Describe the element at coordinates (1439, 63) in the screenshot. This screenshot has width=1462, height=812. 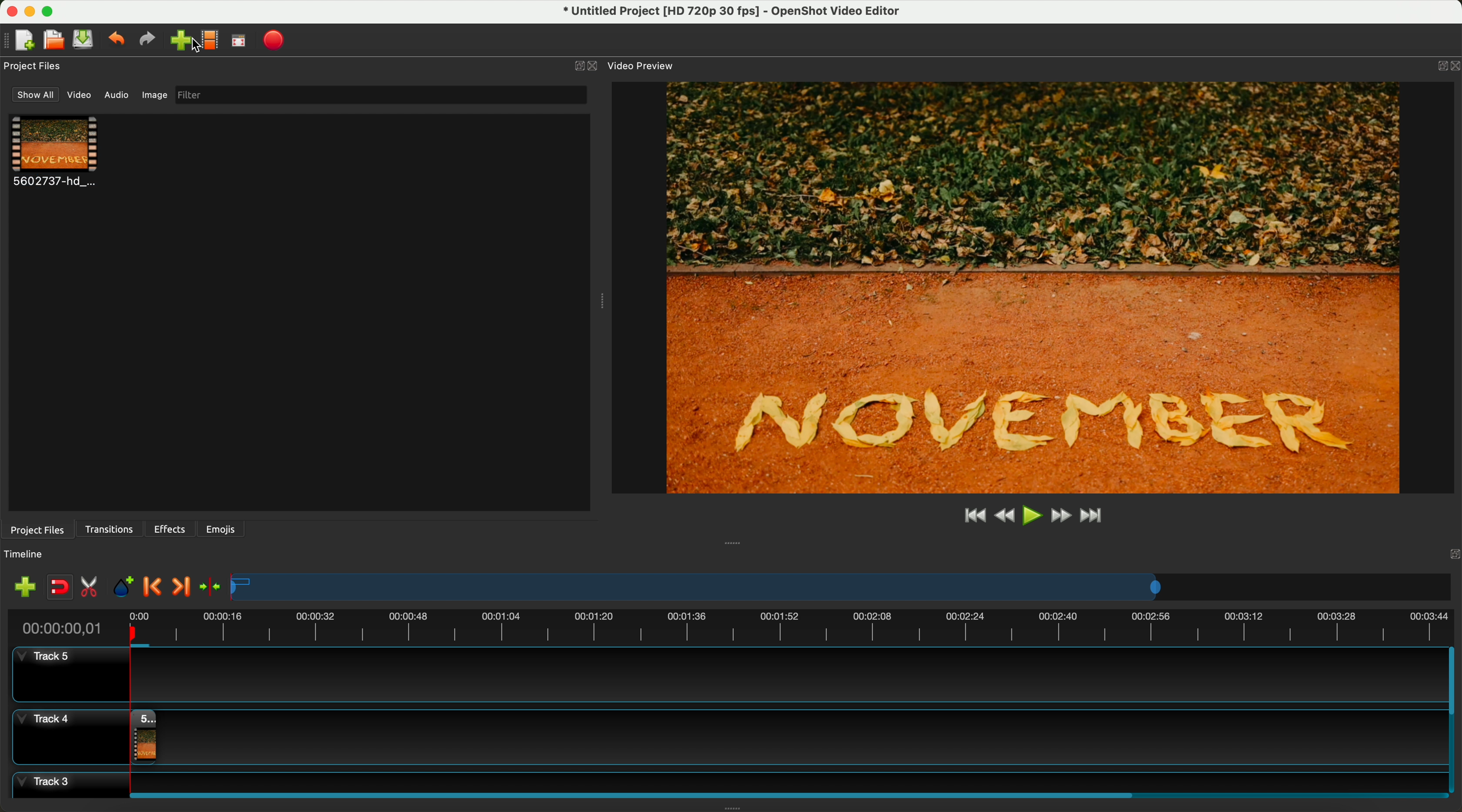
I see `BUTTON` at that location.